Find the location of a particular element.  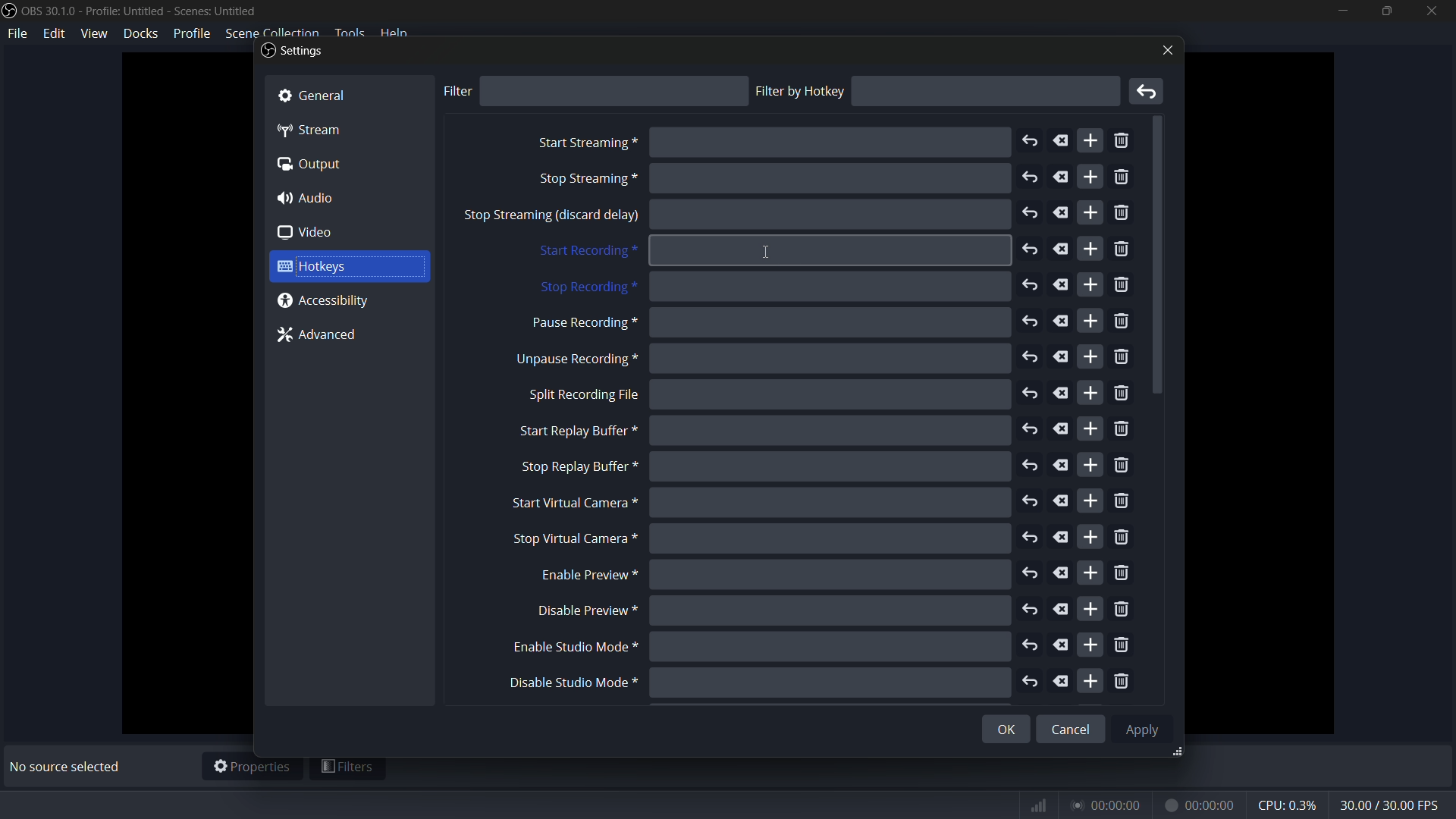

delete is located at coordinates (1063, 249).